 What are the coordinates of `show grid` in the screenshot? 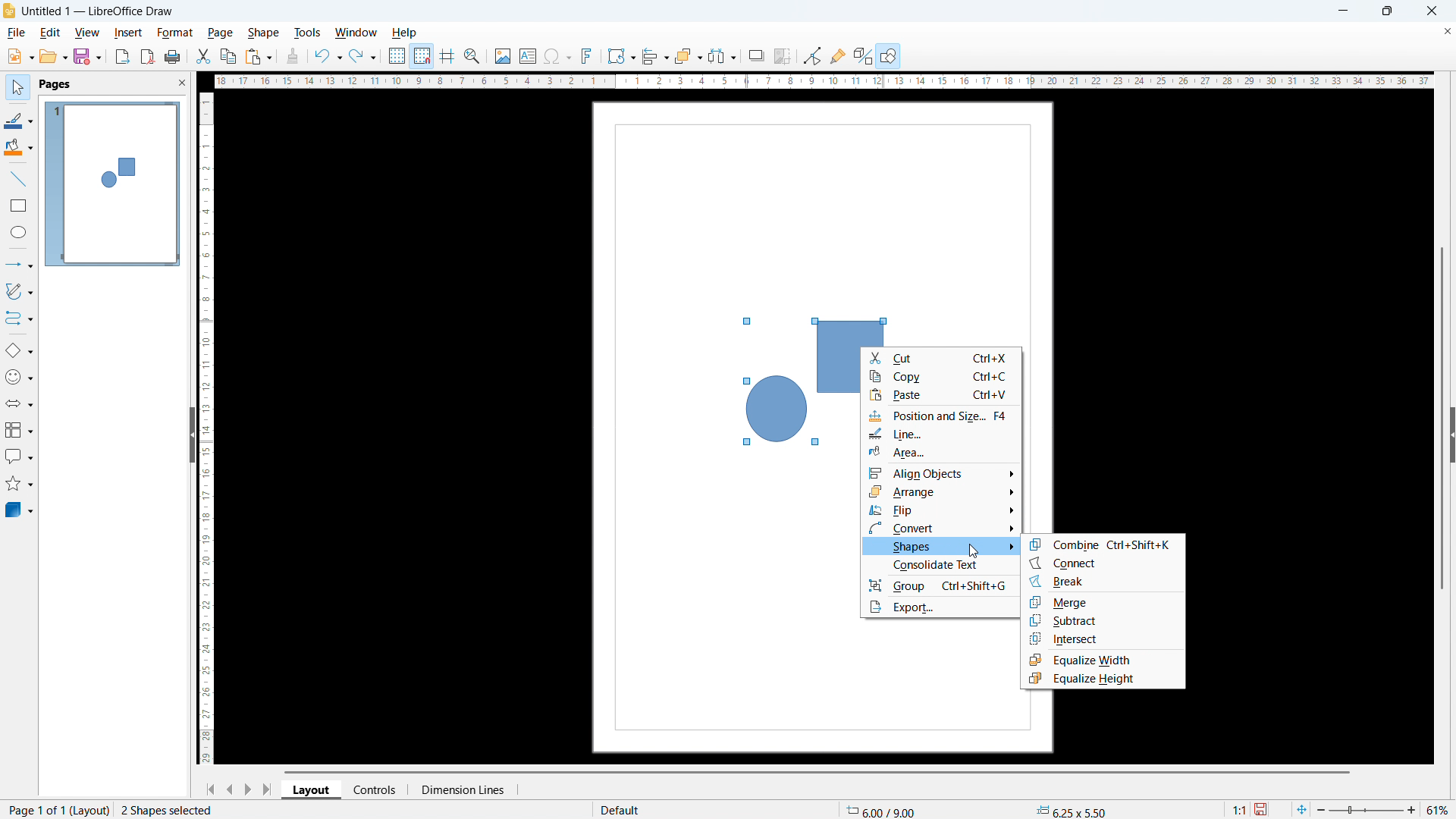 It's located at (397, 56).